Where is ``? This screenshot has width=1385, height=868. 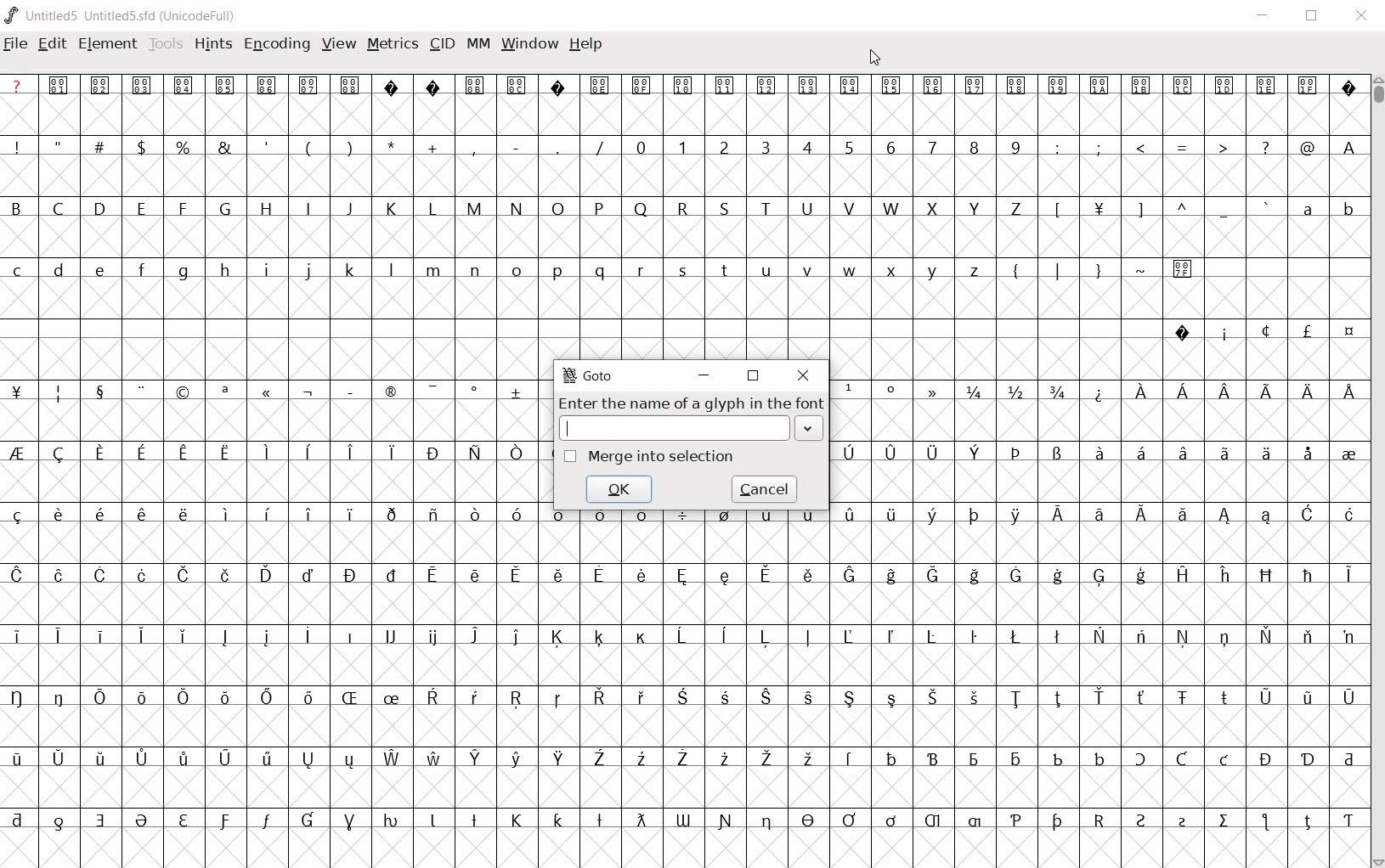  is located at coordinates (266, 513).